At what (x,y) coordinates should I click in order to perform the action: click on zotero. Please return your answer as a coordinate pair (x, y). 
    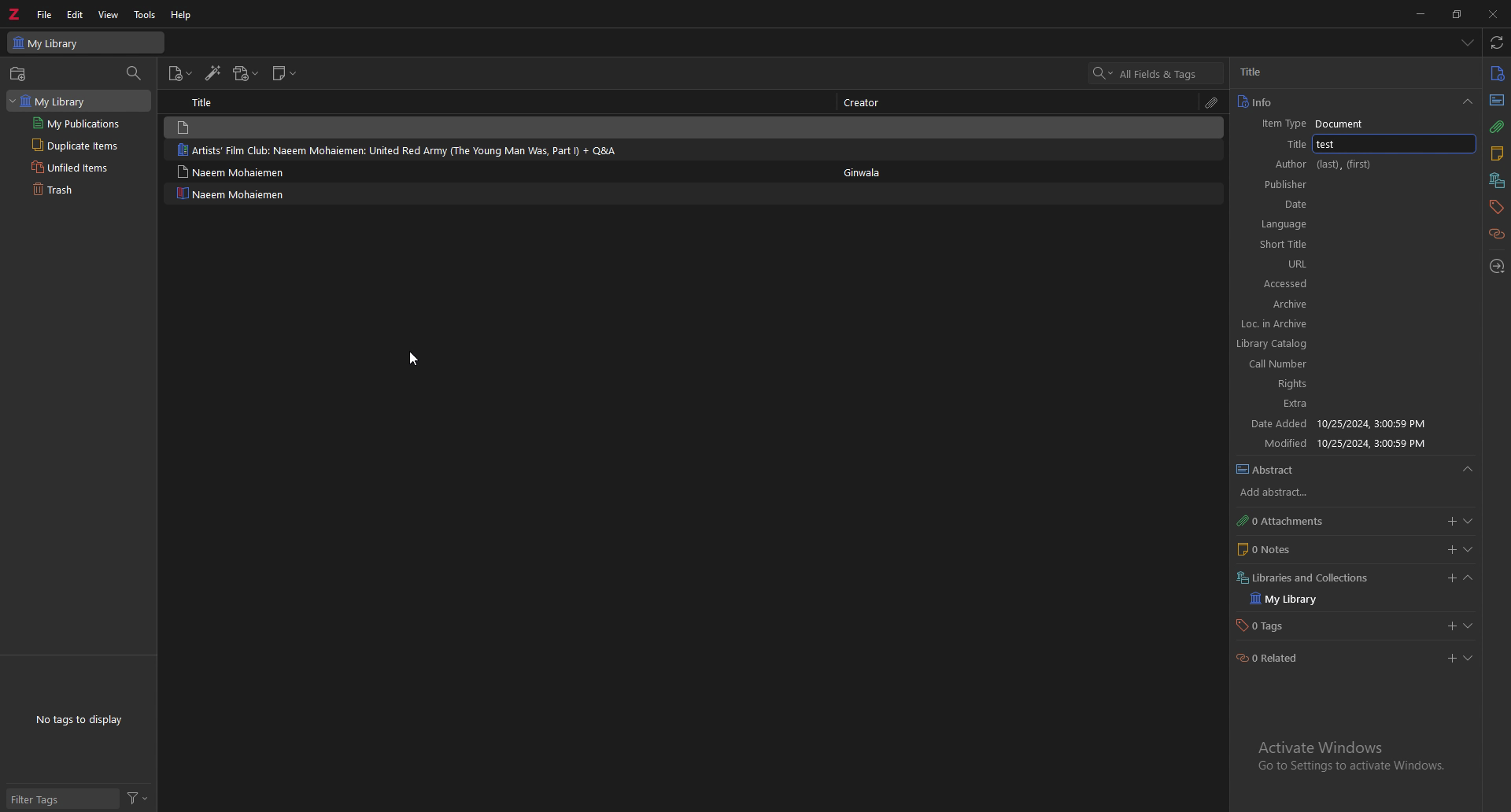
    Looking at the image, I should click on (17, 13).